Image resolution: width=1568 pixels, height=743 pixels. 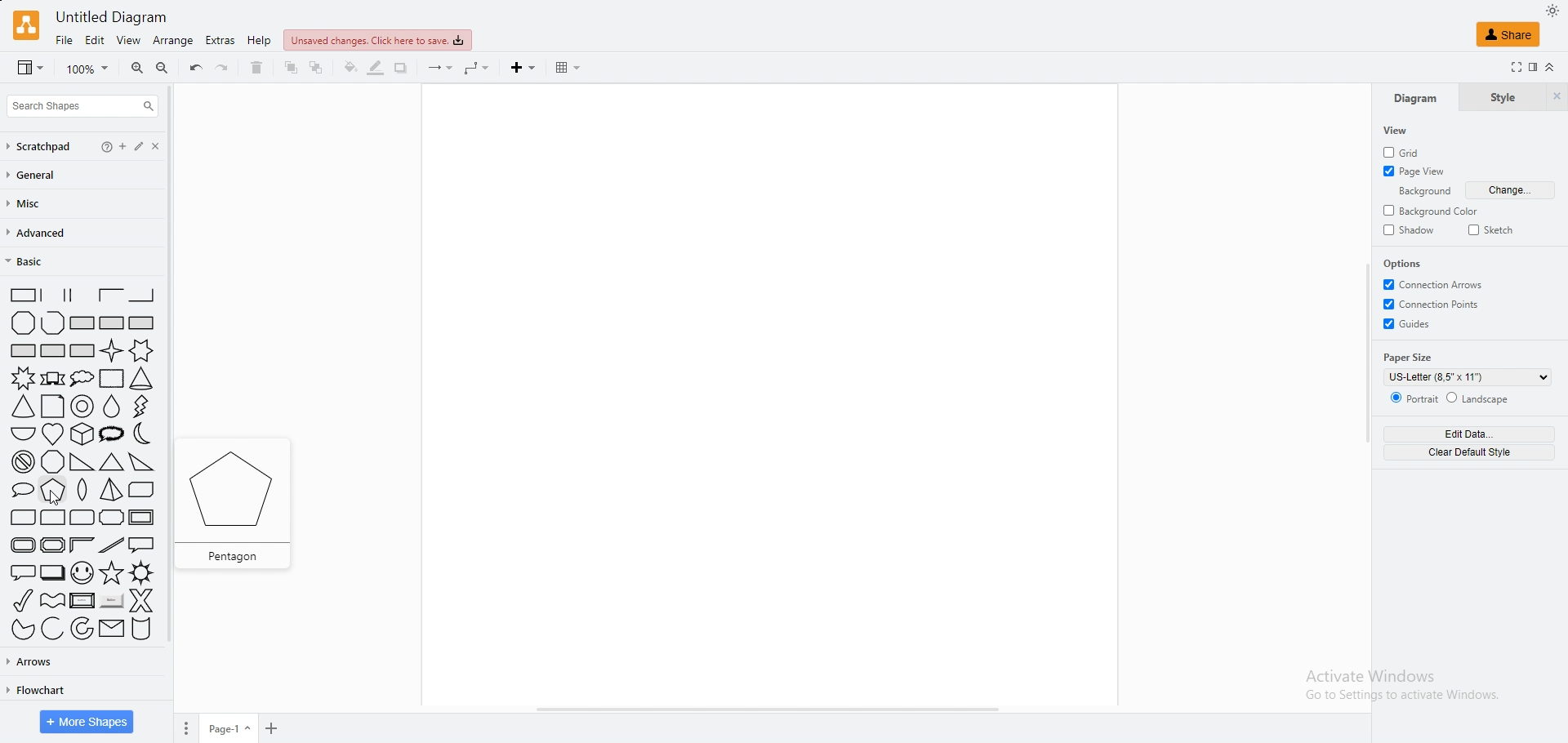 What do you see at coordinates (53, 351) in the screenshot?
I see `rectangle with grid fill` at bounding box center [53, 351].